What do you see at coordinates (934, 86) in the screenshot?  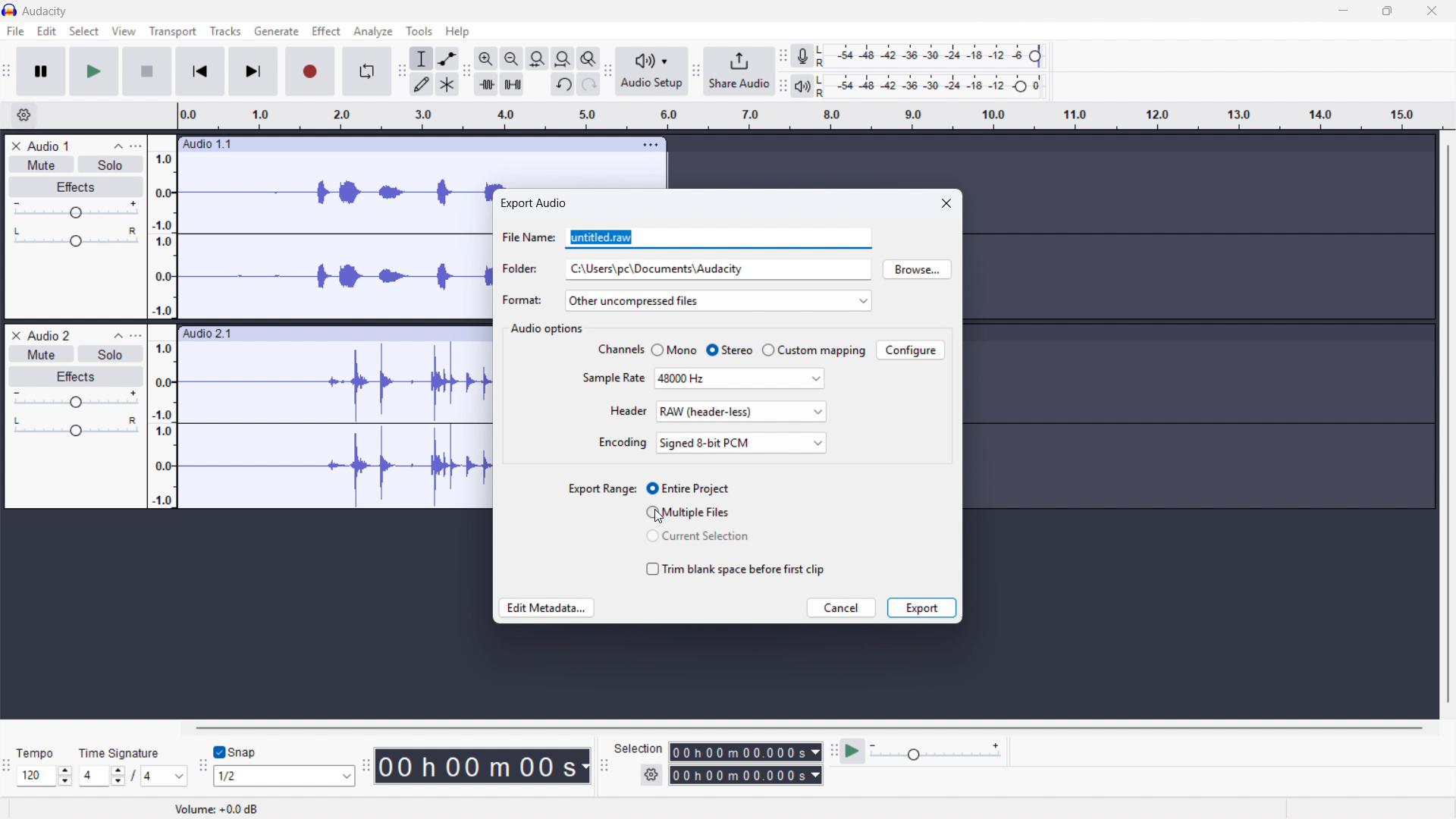 I see `Recording level` at bounding box center [934, 86].